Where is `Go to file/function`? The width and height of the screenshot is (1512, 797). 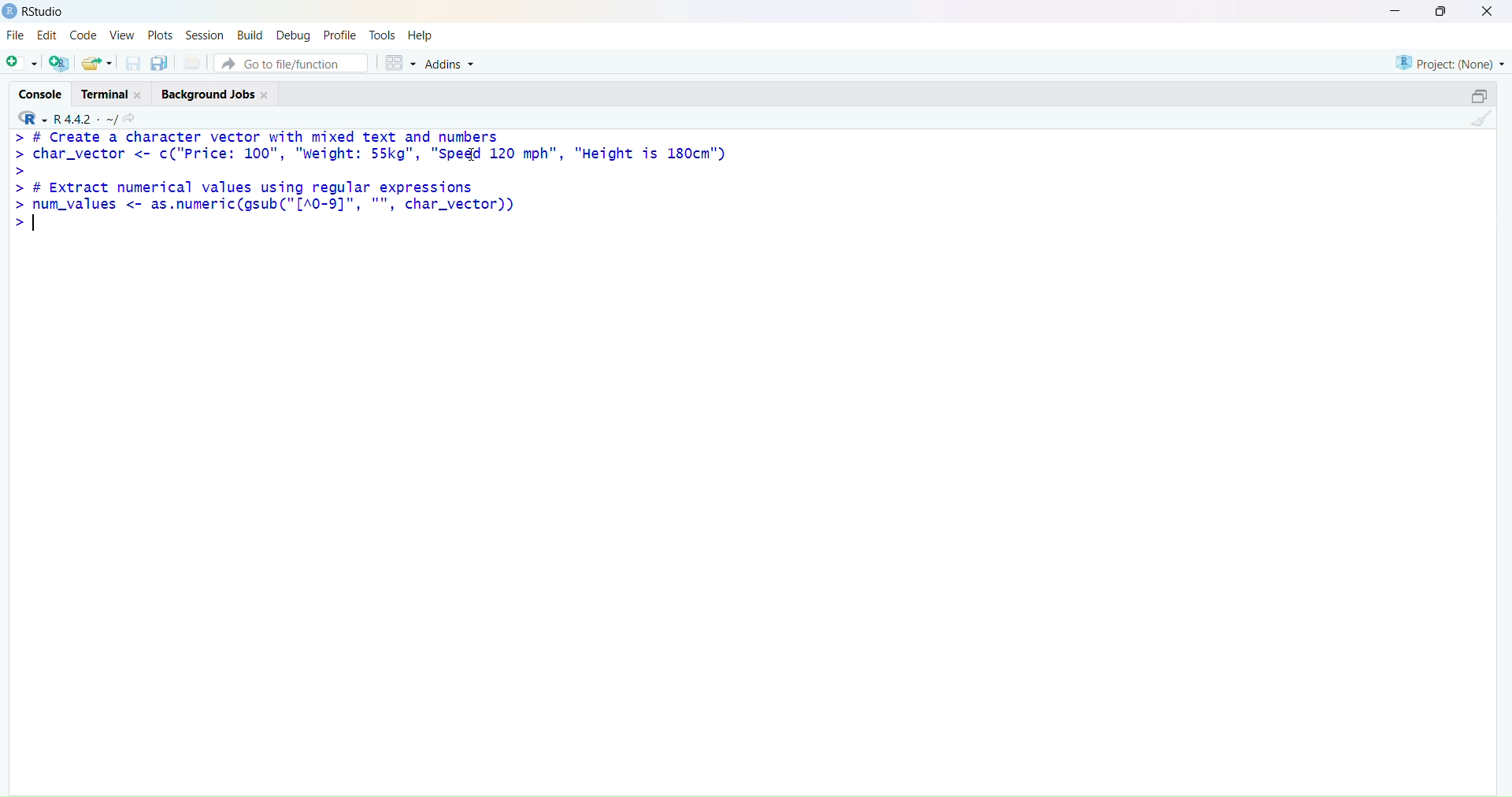 Go to file/function is located at coordinates (292, 63).